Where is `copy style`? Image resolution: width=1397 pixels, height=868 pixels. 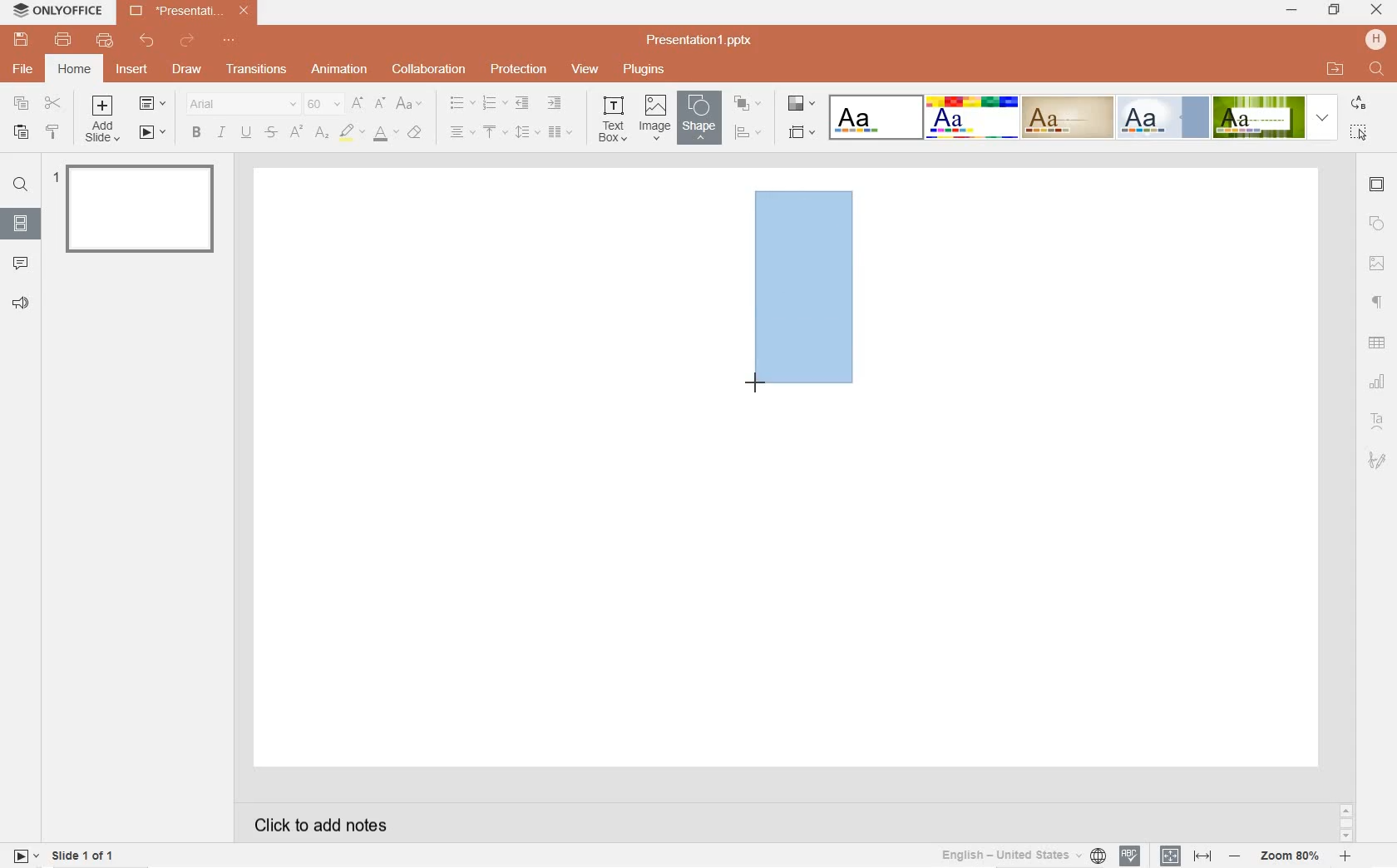 copy style is located at coordinates (54, 134).